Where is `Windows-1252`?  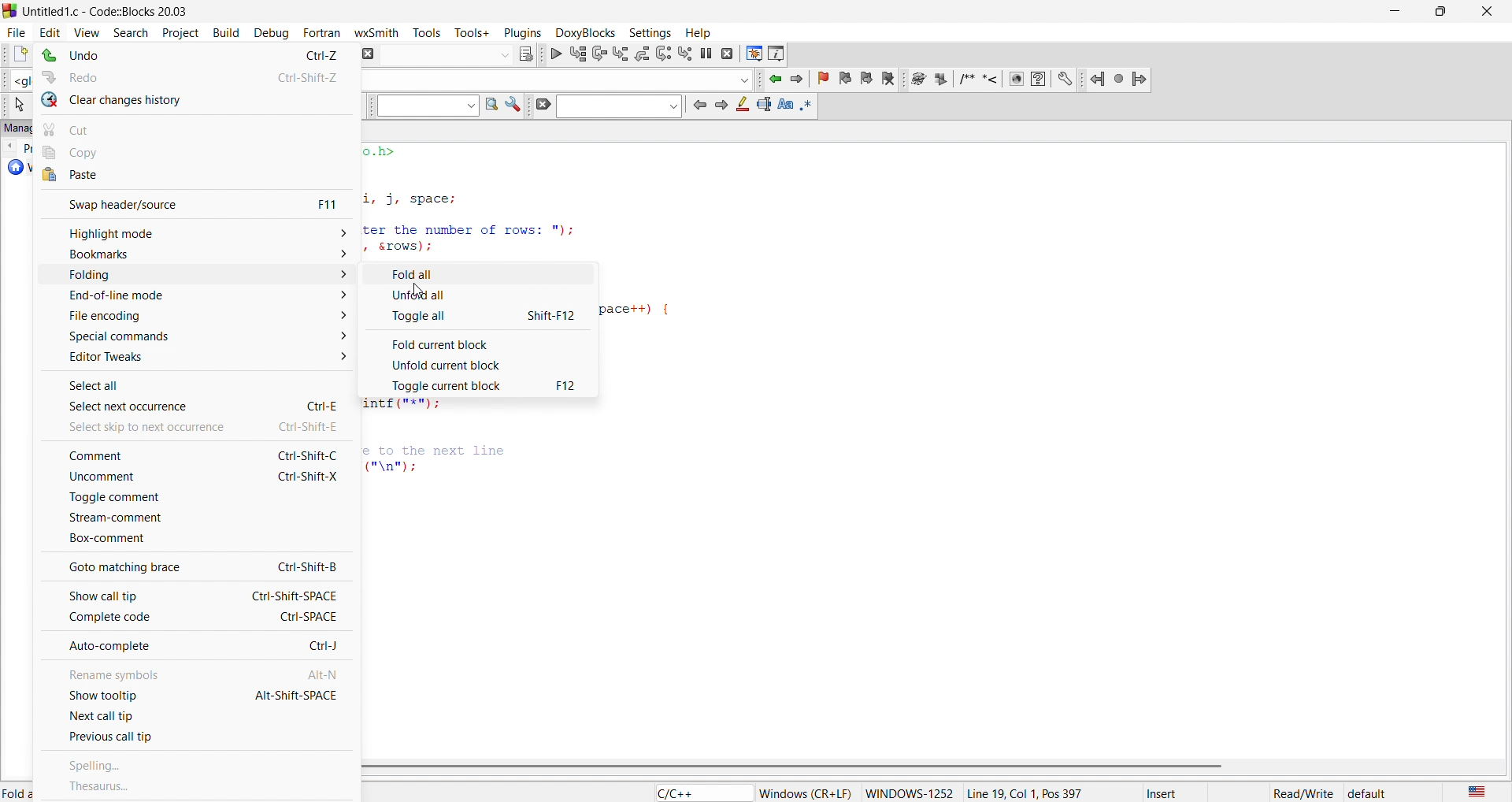
Windows-1252 is located at coordinates (910, 793).